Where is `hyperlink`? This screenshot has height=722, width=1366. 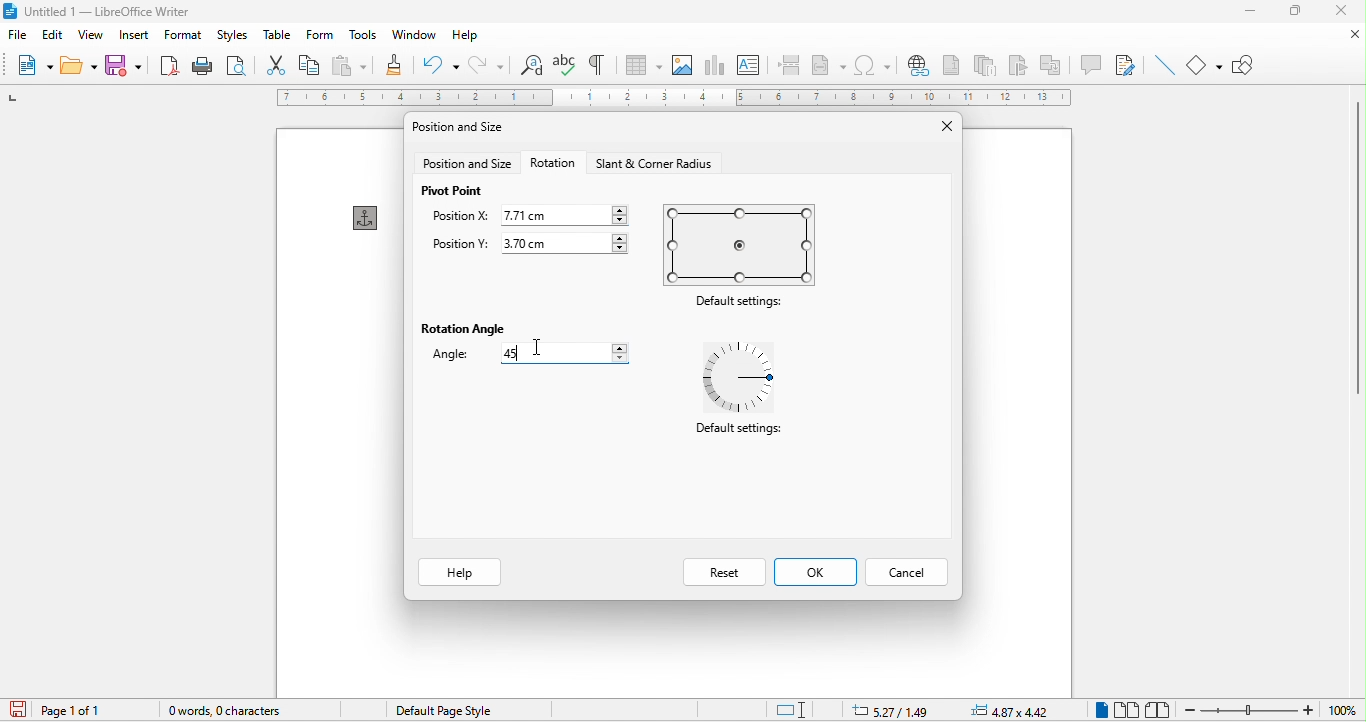
hyperlink is located at coordinates (916, 65).